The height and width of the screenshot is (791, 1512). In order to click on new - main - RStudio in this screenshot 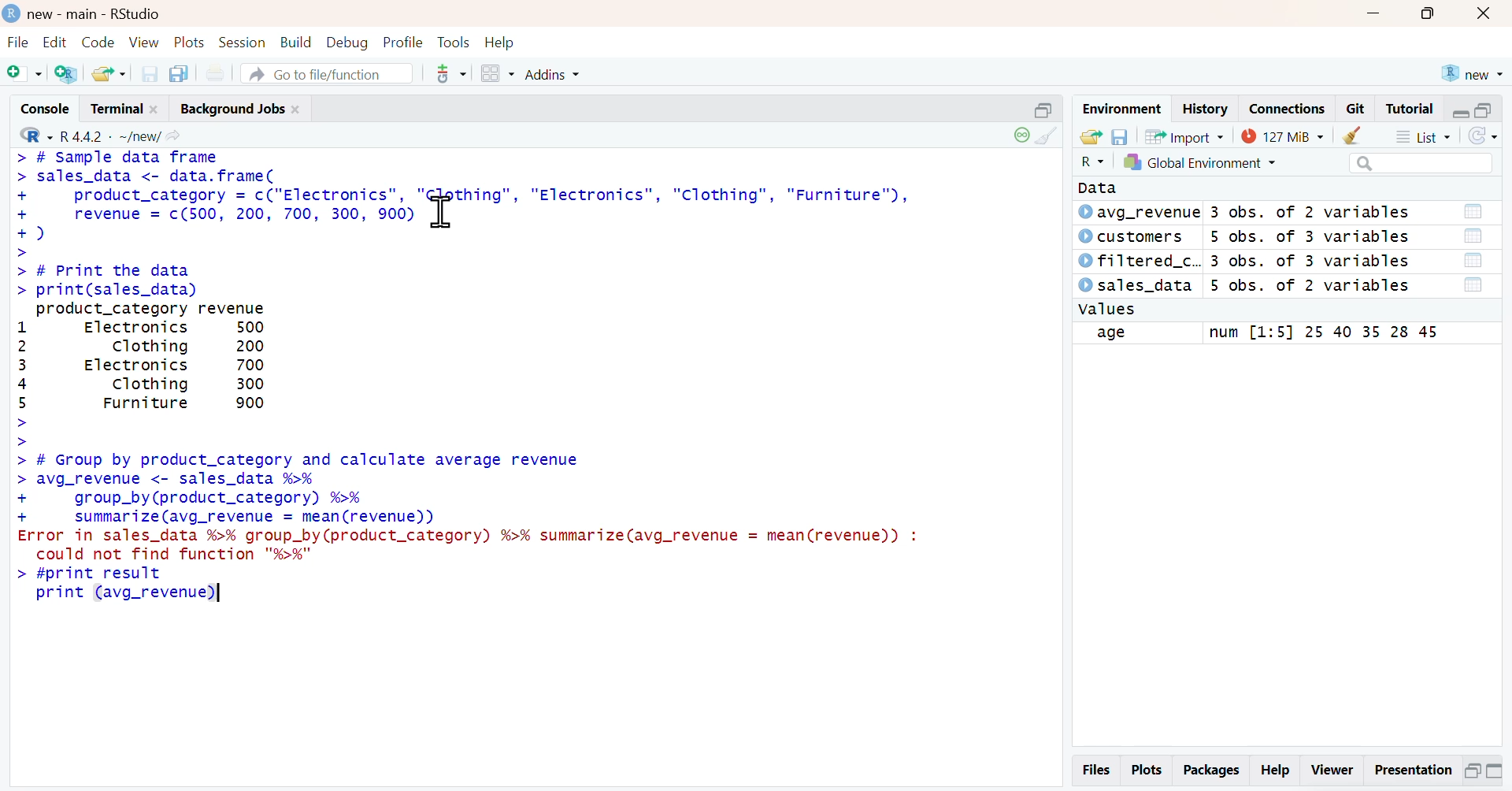, I will do `click(95, 14)`.